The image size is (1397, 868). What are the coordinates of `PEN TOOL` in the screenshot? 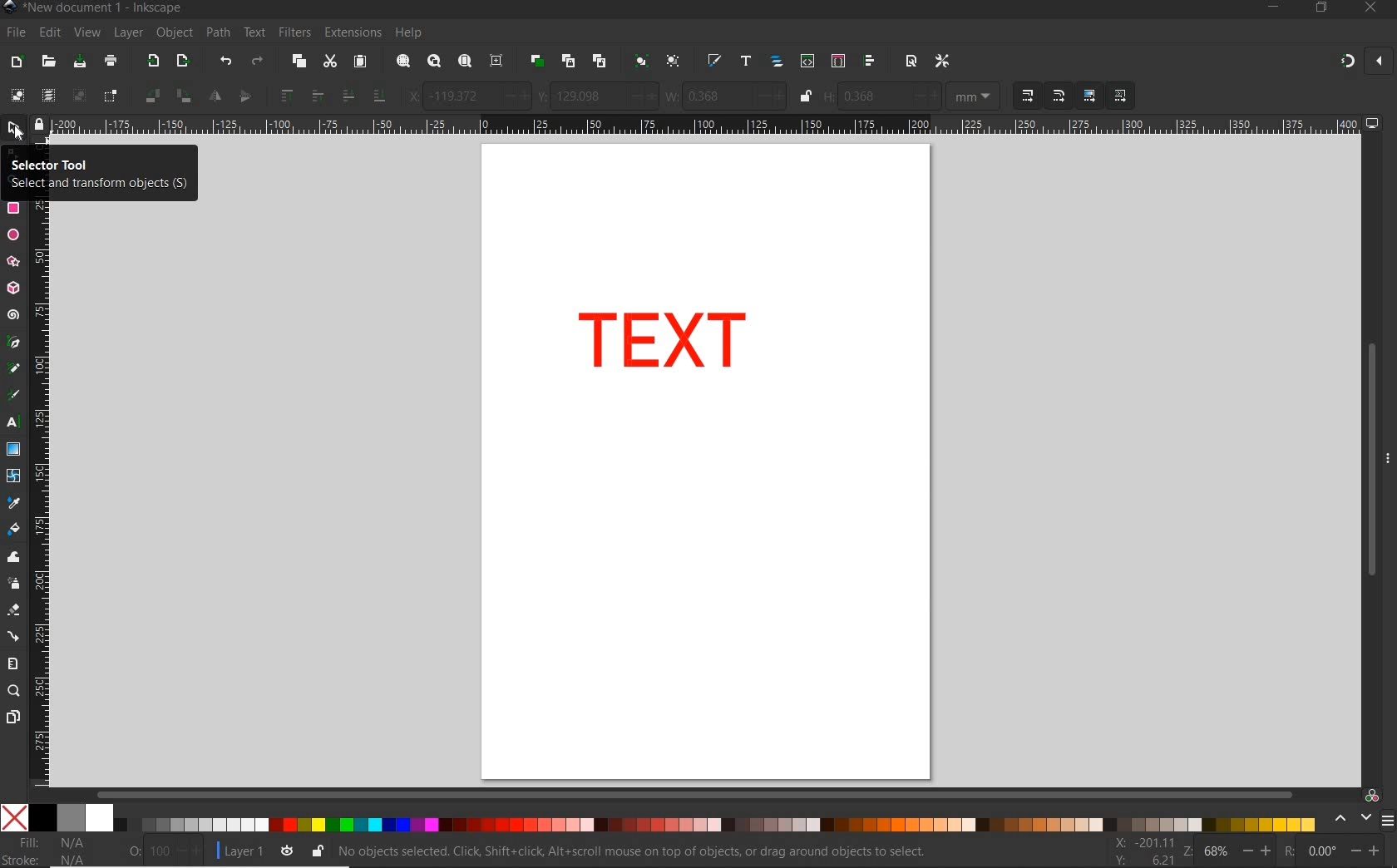 It's located at (14, 343).